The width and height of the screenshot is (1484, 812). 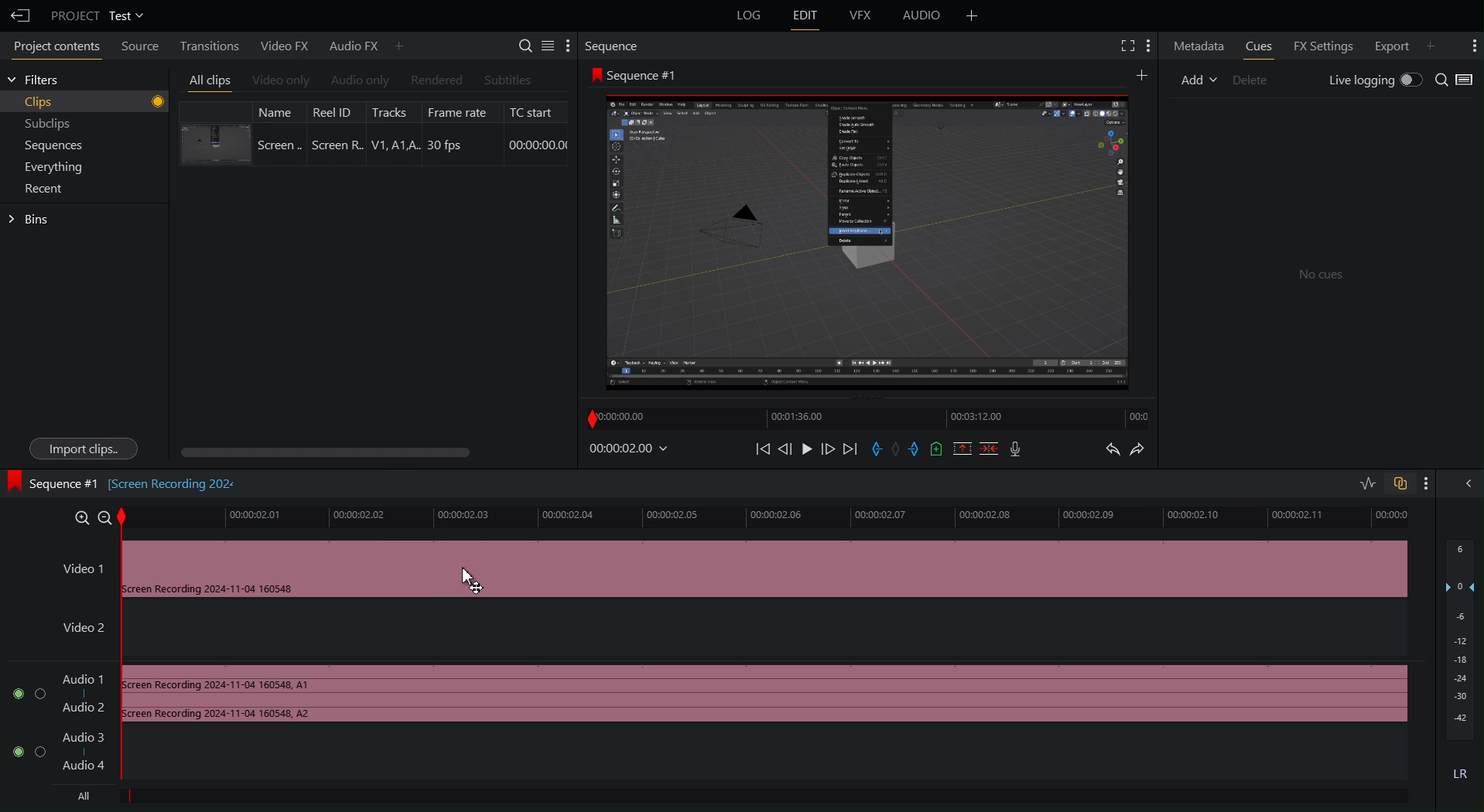 What do you see at coordinates (746, 17) in the screenshot?
I see `Log` at bounding box center [746, 17].